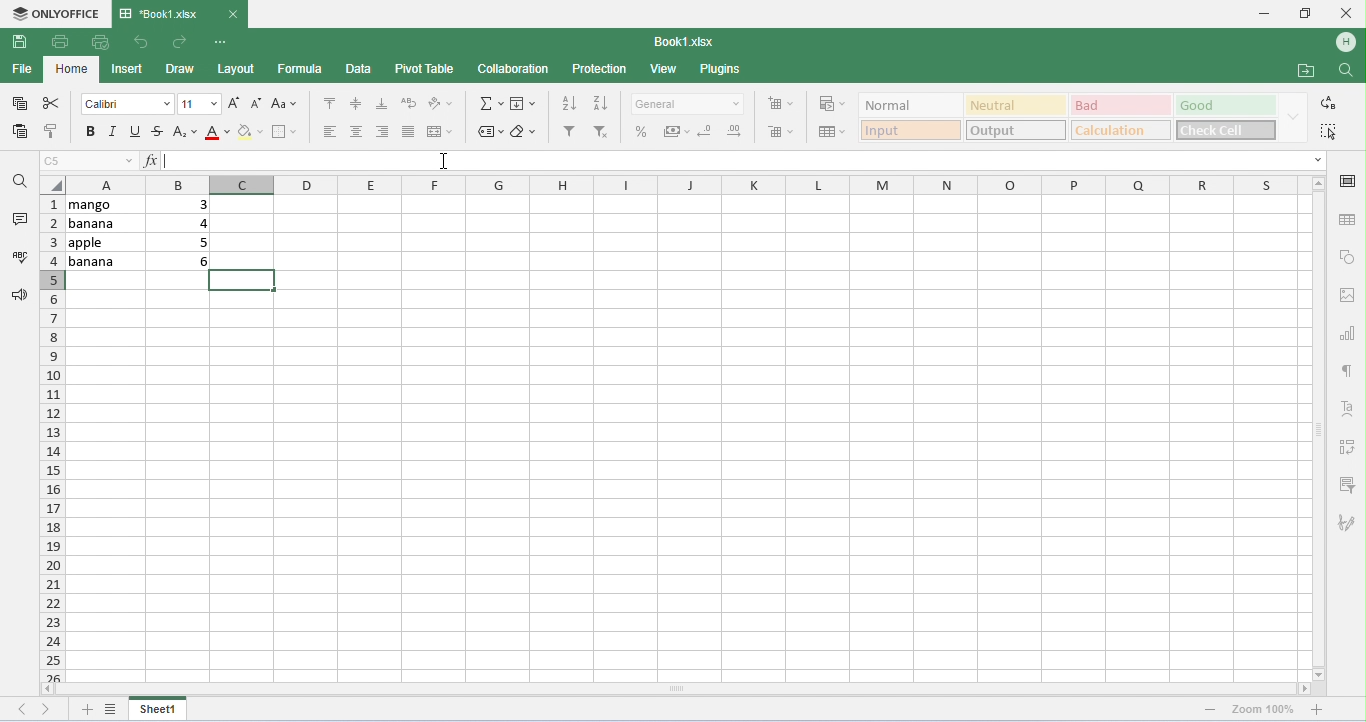 This screenshot has height=722, width=1366. I want to click on neutral, so click(1015, 105).